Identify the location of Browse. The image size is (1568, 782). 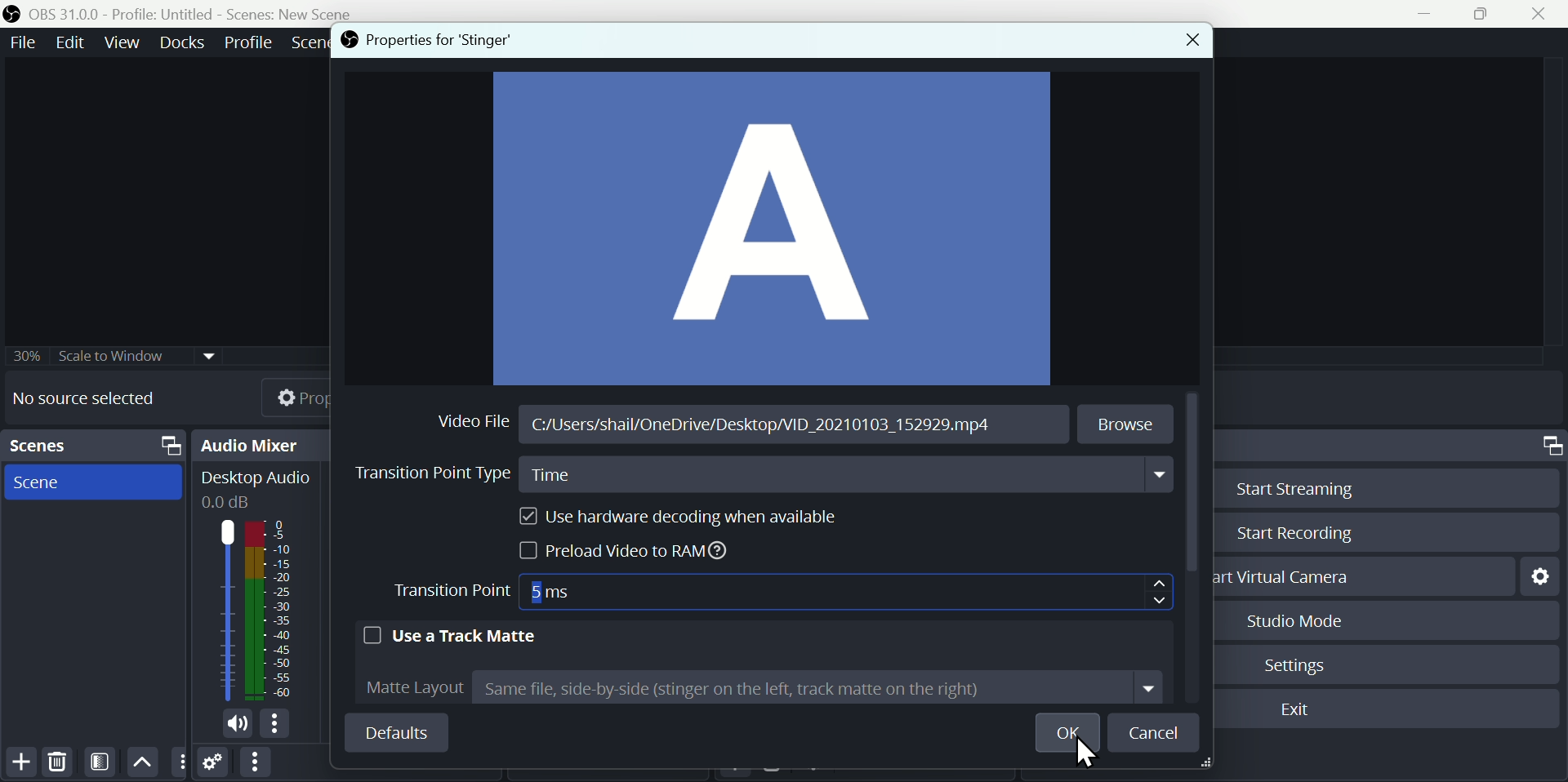
(1128, 423).